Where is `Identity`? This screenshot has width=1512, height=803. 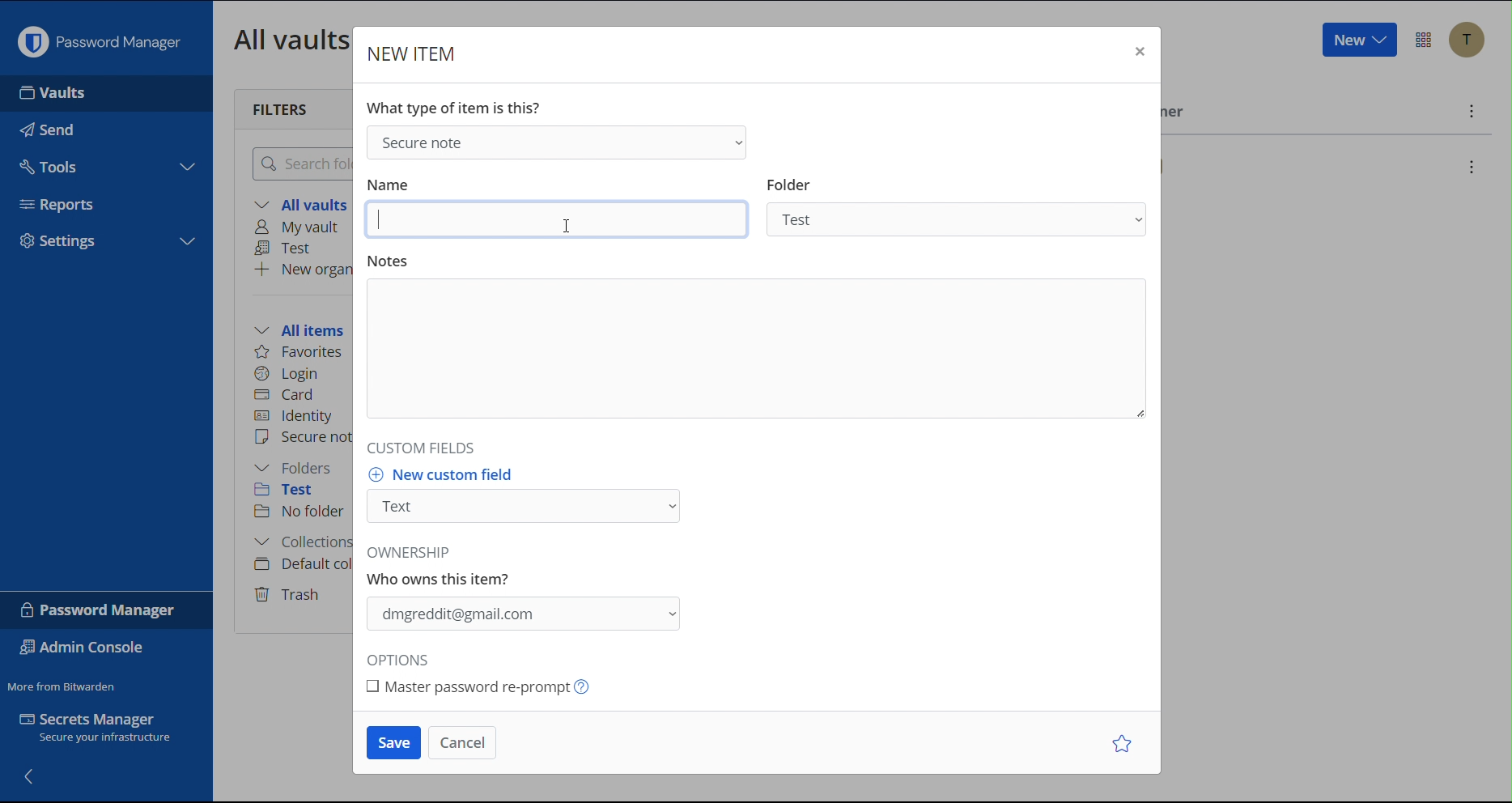
Identity is located at coordinates (295, 416).